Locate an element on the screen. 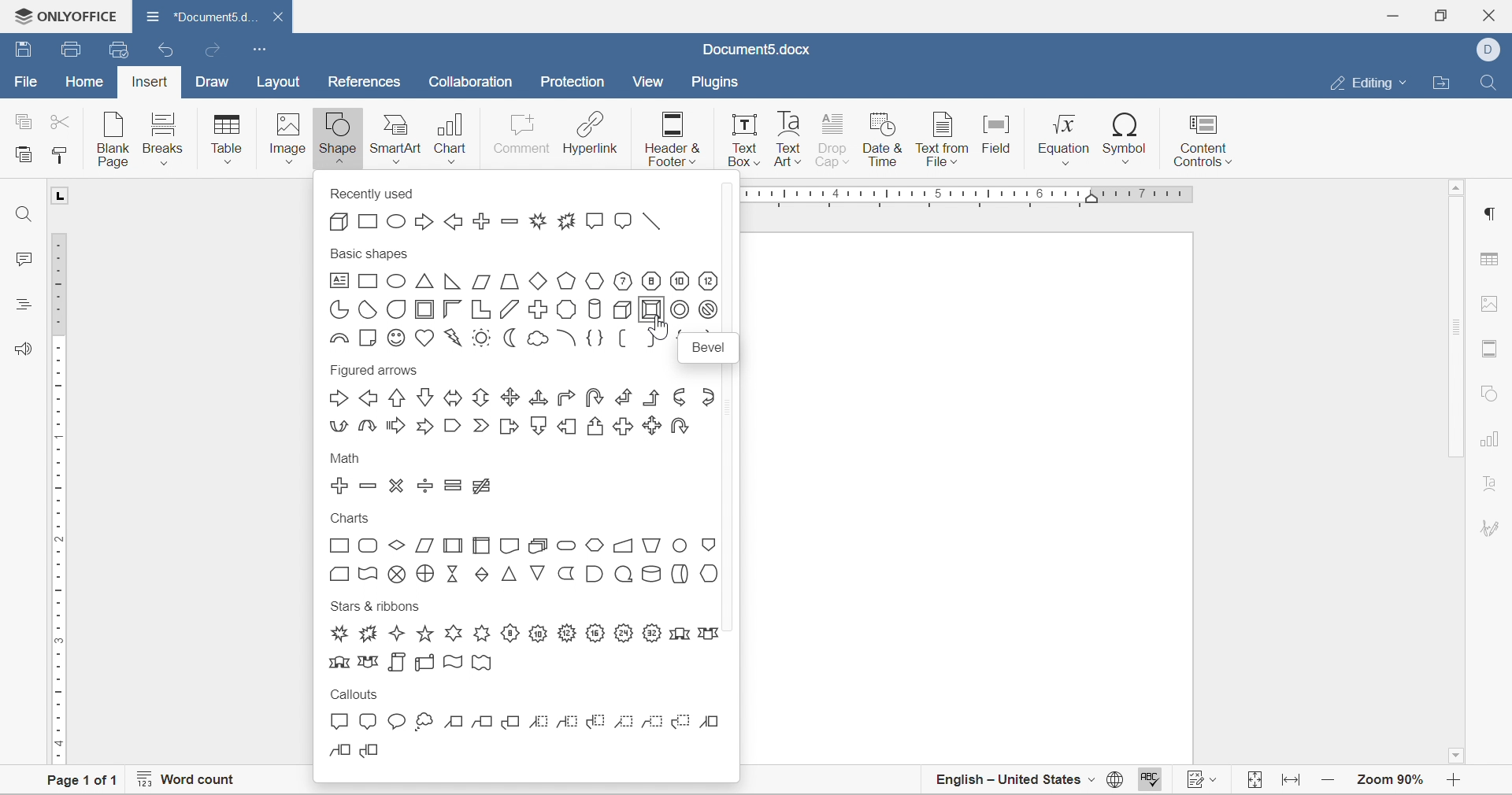  scroll up is located at coordinates (1458, 187).